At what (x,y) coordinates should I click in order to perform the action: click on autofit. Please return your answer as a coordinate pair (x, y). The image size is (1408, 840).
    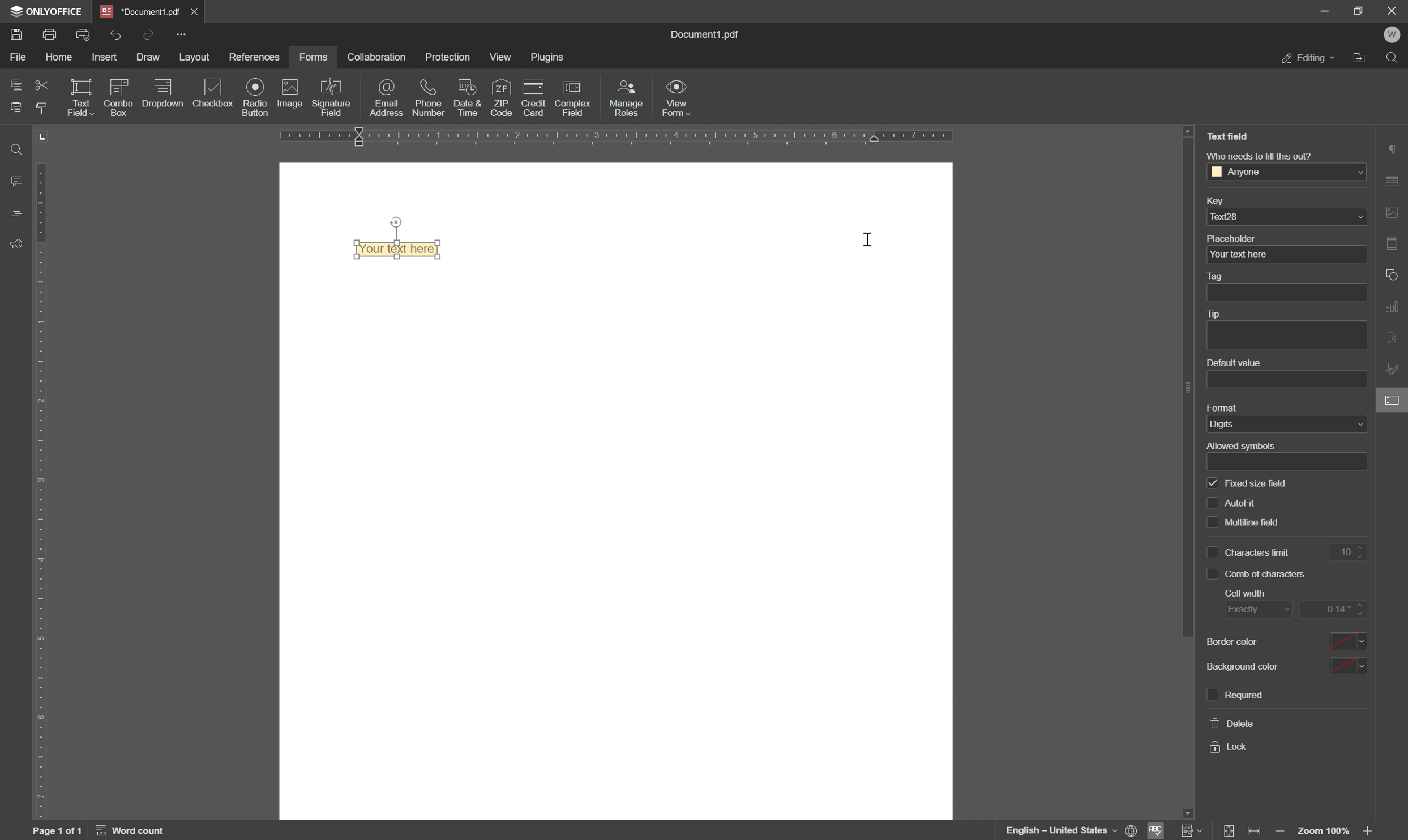
    Looking at the image, I should click on (1231, 504).